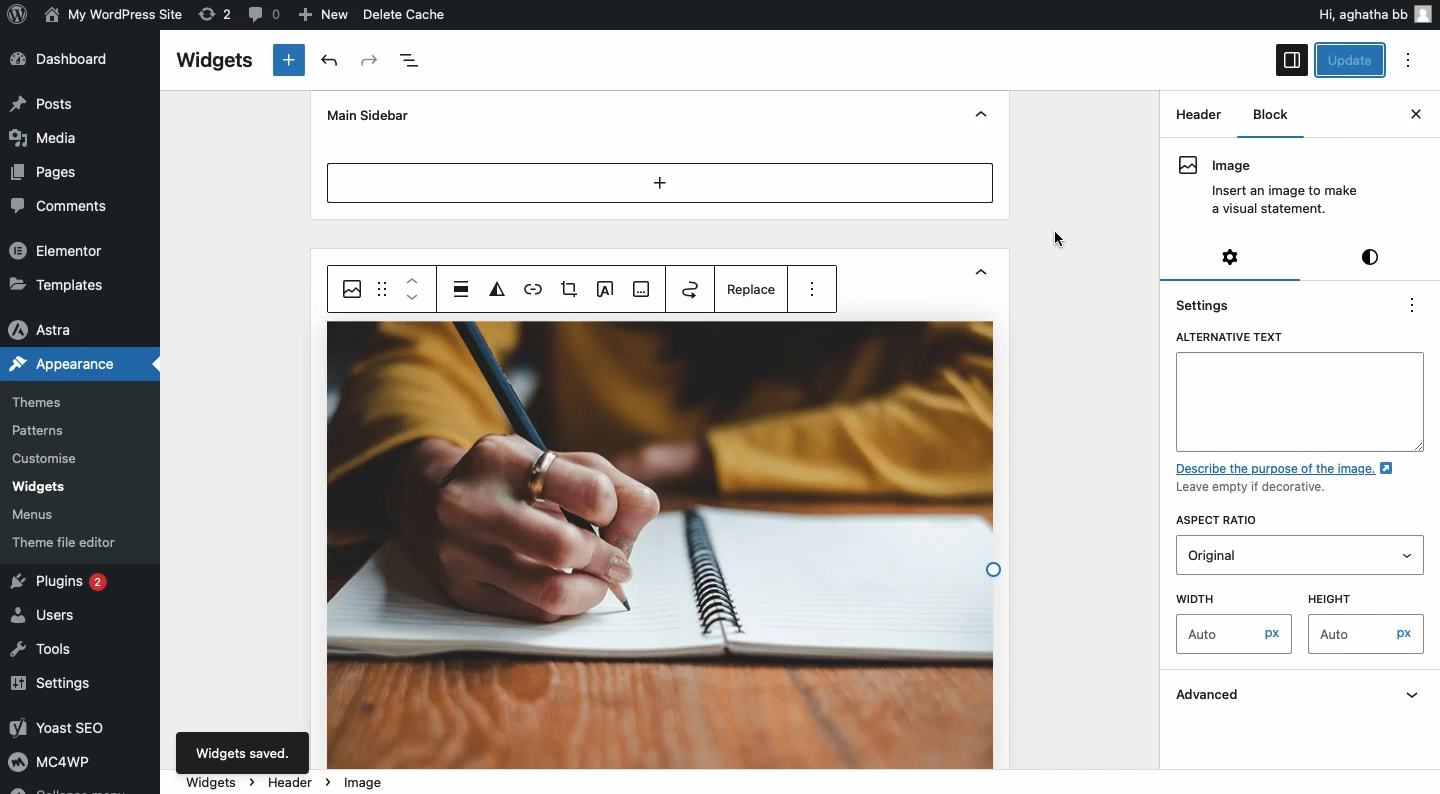 The image size is (1440, 794). I want to click on Alternative text, so click(1300, 390).